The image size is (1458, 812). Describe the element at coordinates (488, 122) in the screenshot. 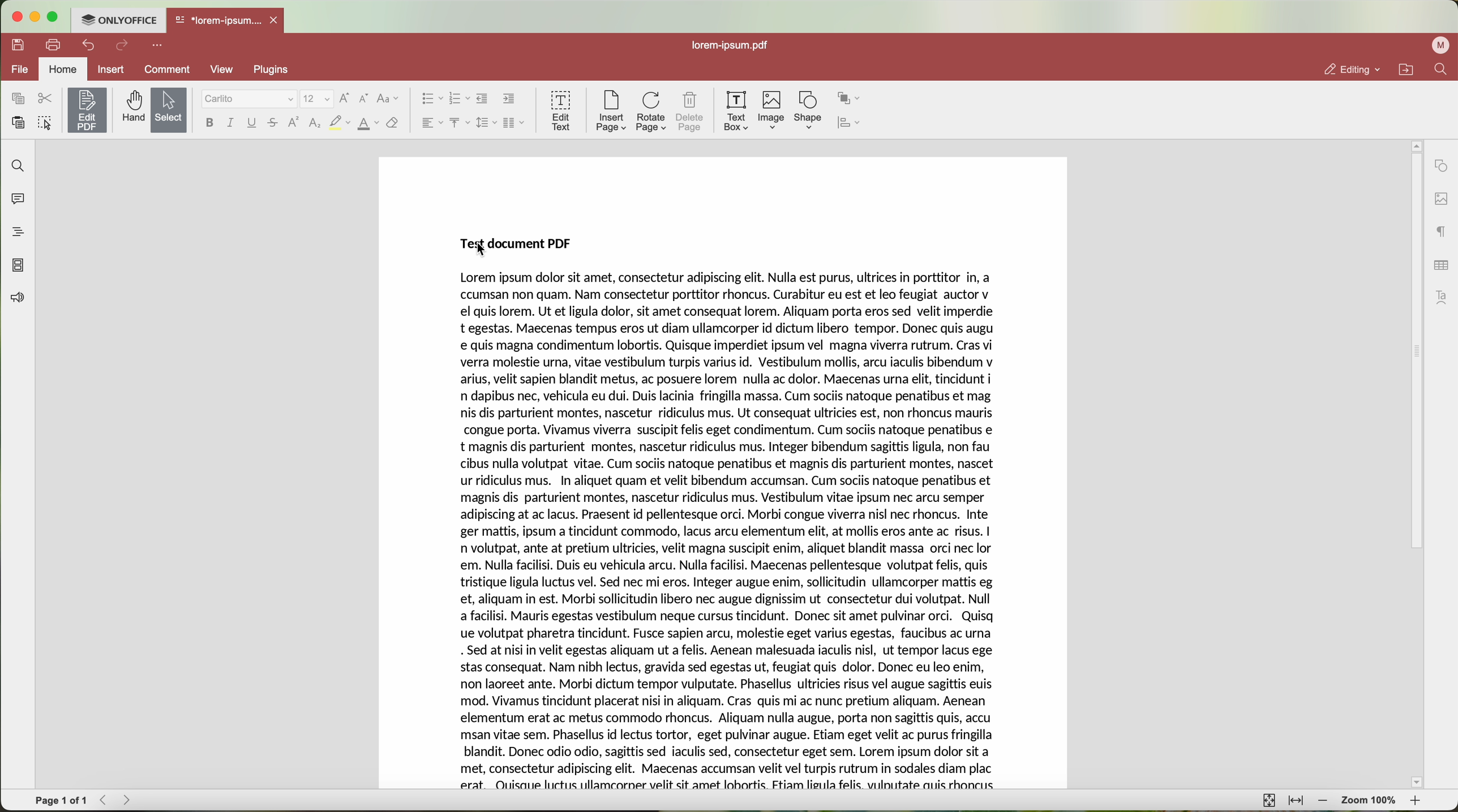

I see `line spacing` at that location.